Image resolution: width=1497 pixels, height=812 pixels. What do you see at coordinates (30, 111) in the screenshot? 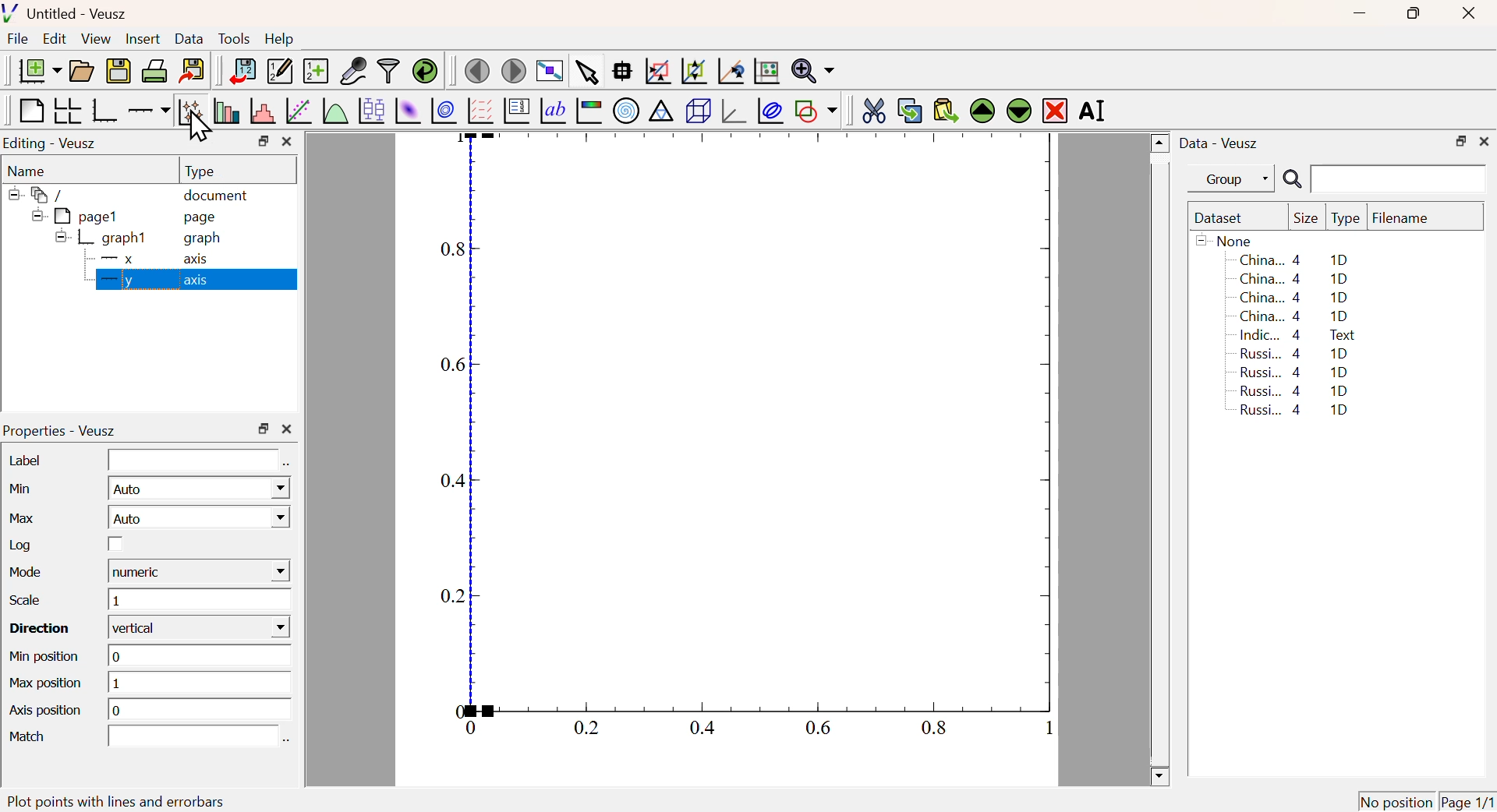
I see `Blank Page` at bounding box center [30, 111].